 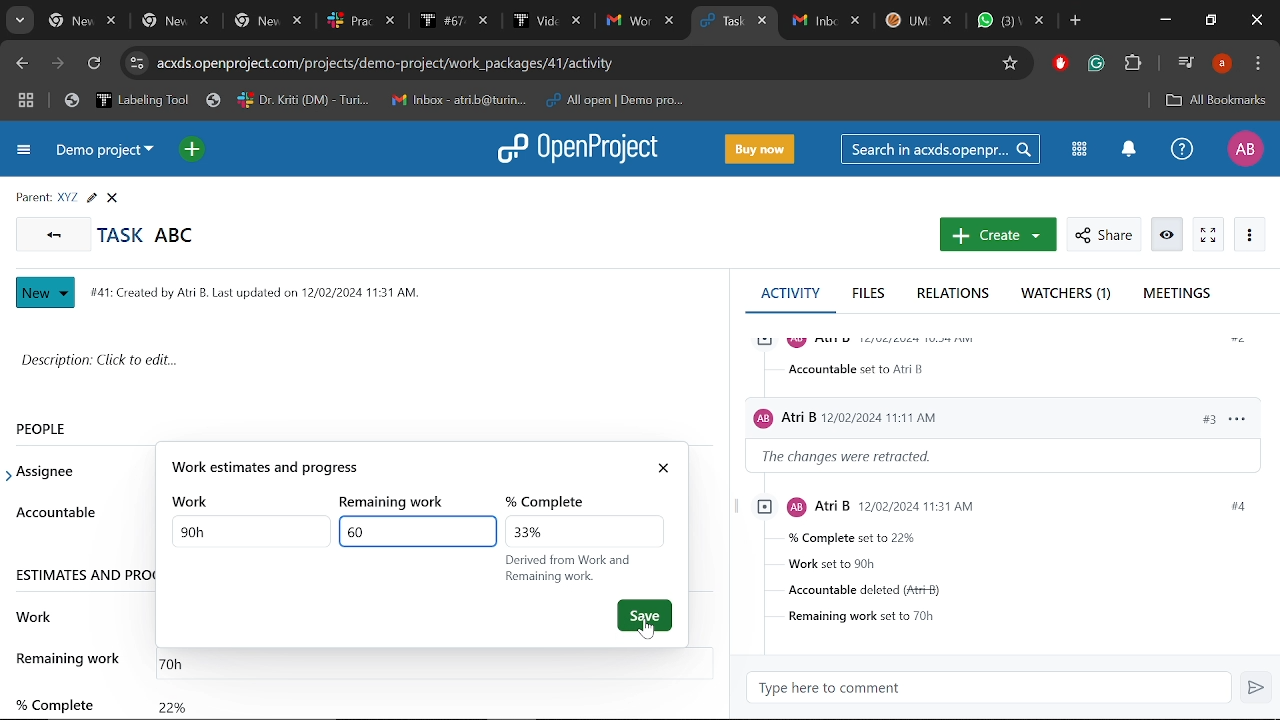 I want to click on Previous page, so click(x=21, y=63).